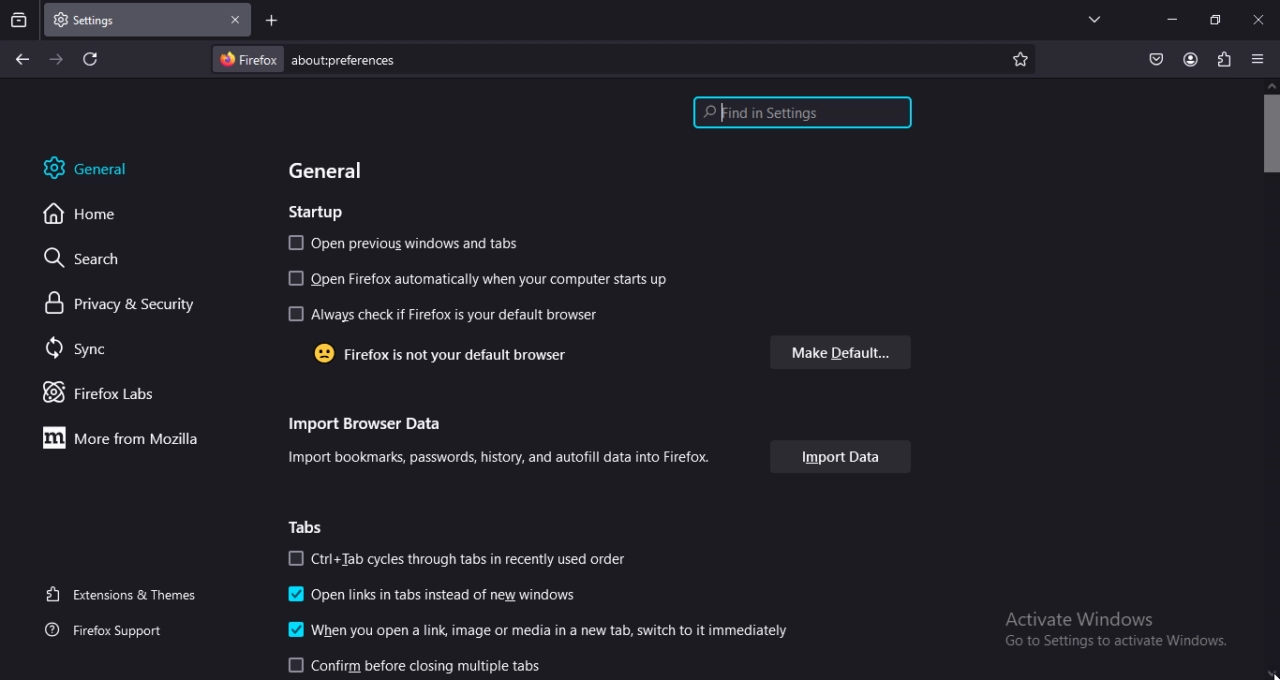 This screenshot has width=1280, height=680. I want to click on import data, so click(839, 456).